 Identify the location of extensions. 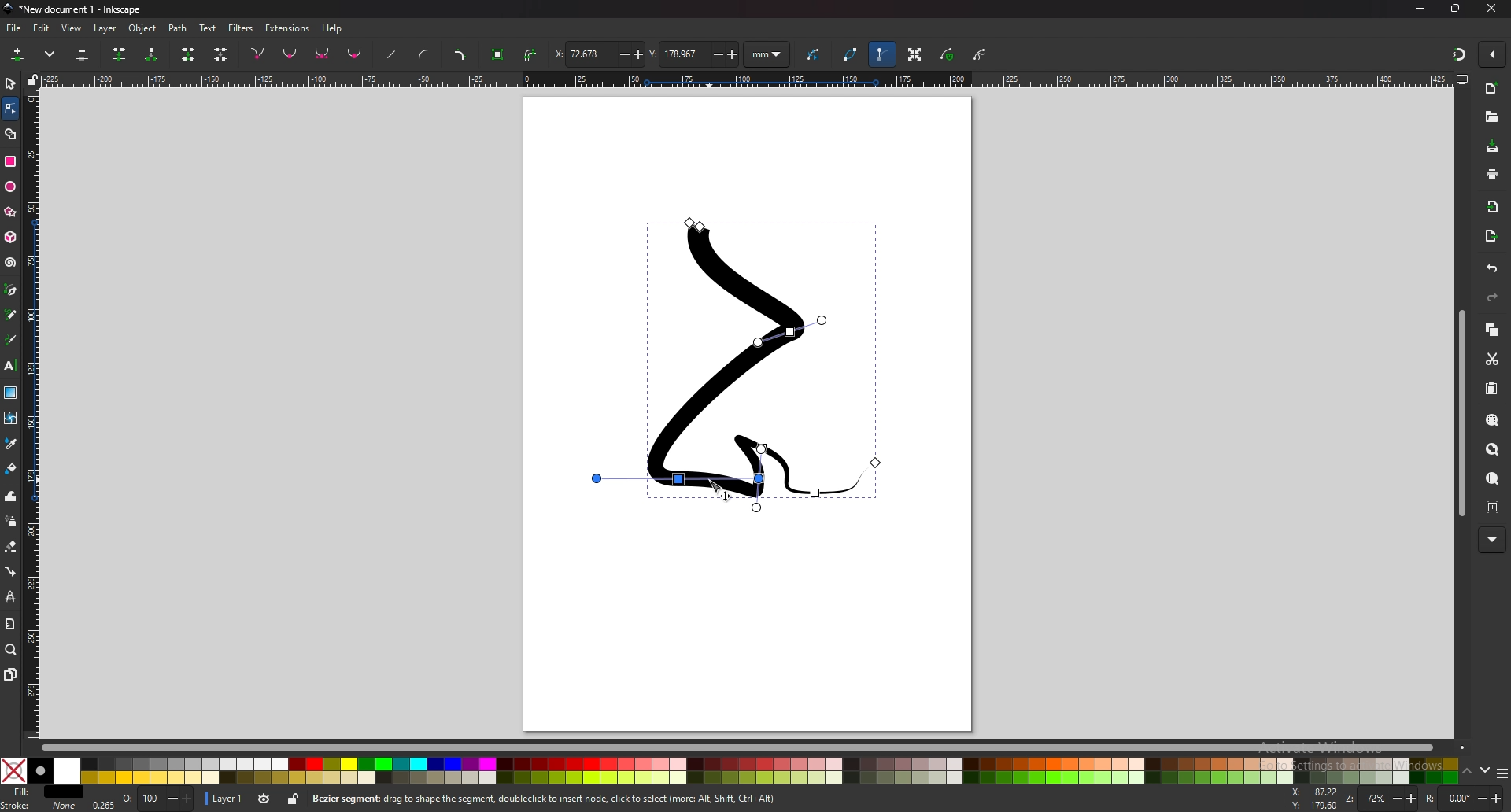
(286, 28).